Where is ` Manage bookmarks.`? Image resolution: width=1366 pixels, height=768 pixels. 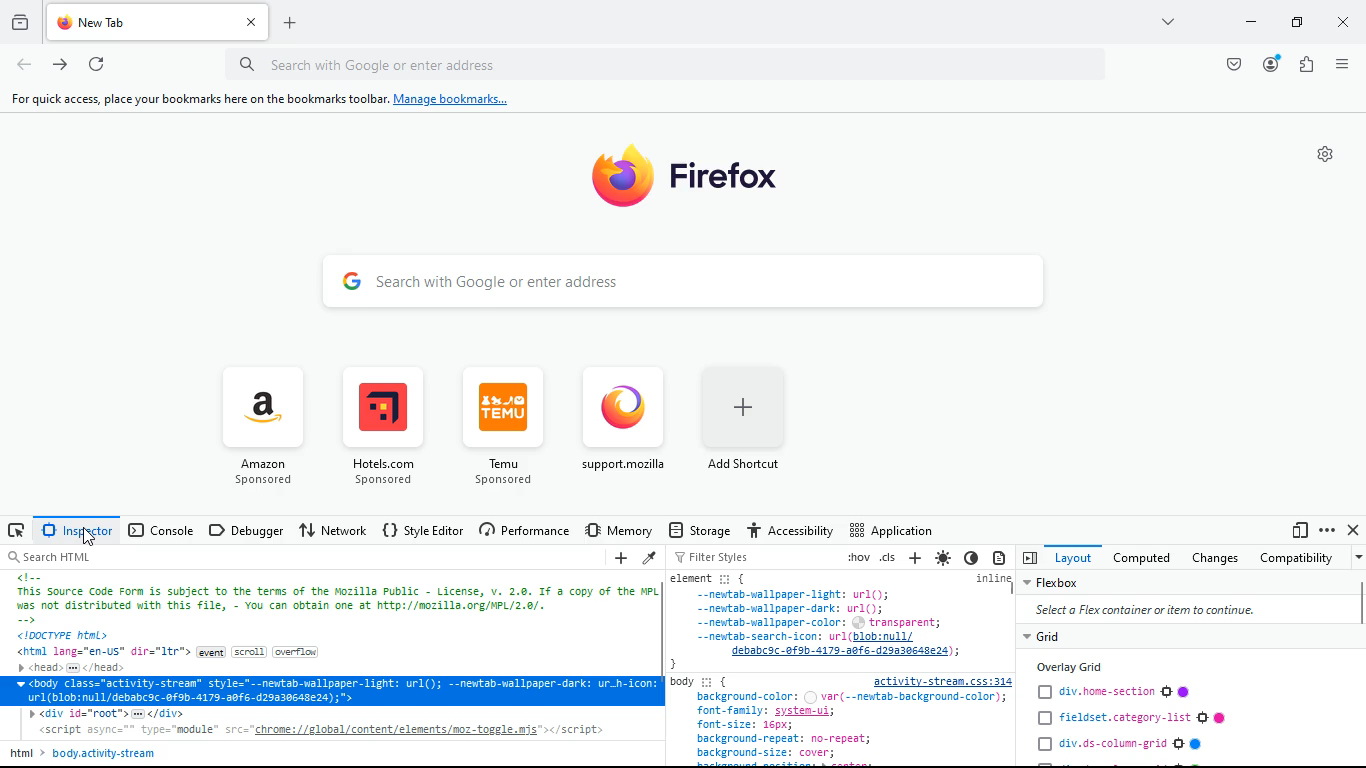  Manage bookmarks. is located at coordinates (451, 100).